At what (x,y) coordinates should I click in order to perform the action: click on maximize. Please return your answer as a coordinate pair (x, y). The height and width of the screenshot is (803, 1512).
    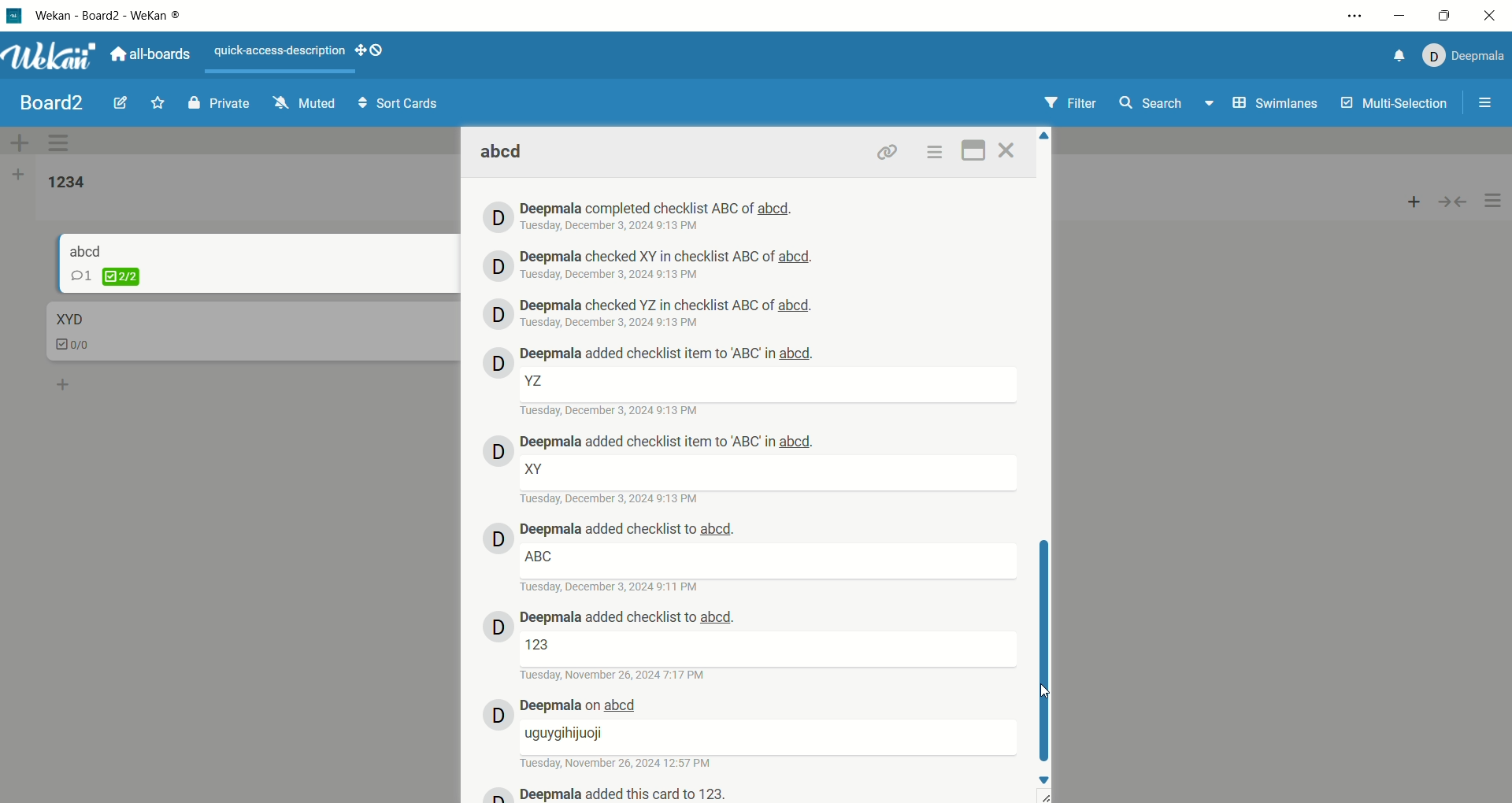
    Looking at the image, I should click on (975, 149).